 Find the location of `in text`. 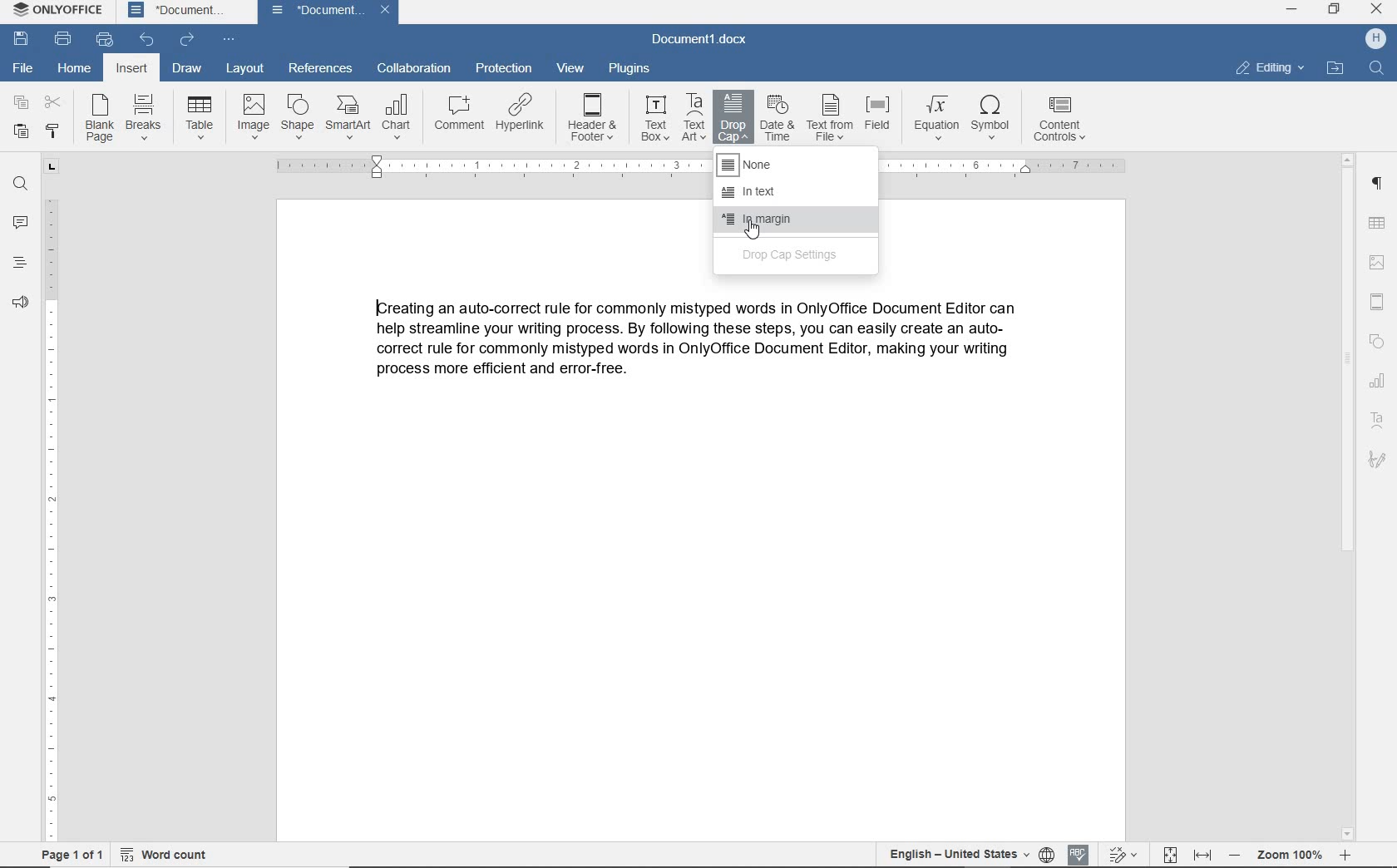

in text is located at coordinates (795, 194).